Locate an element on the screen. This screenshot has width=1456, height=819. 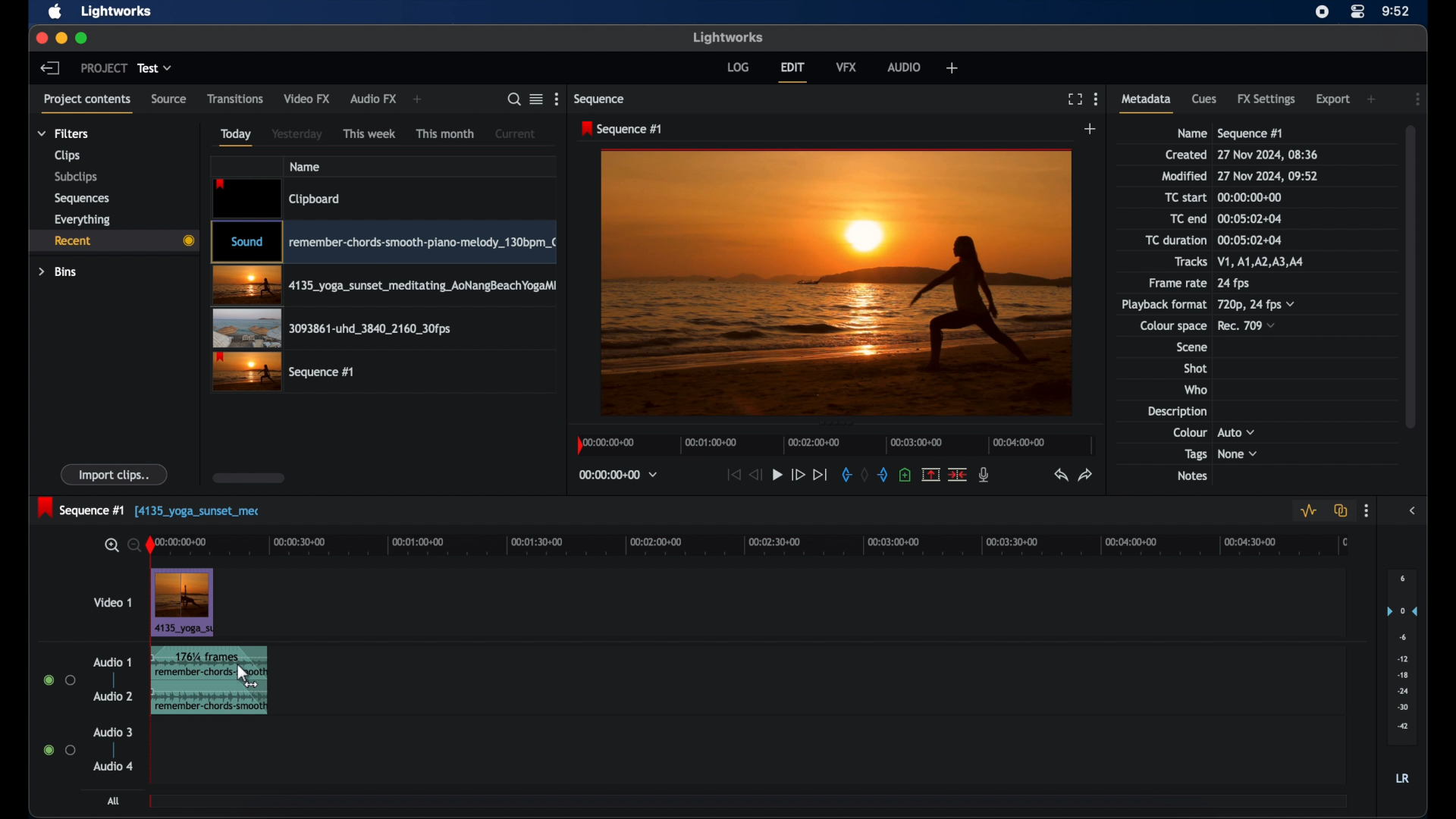
frames is located at coordinates (206, 654).